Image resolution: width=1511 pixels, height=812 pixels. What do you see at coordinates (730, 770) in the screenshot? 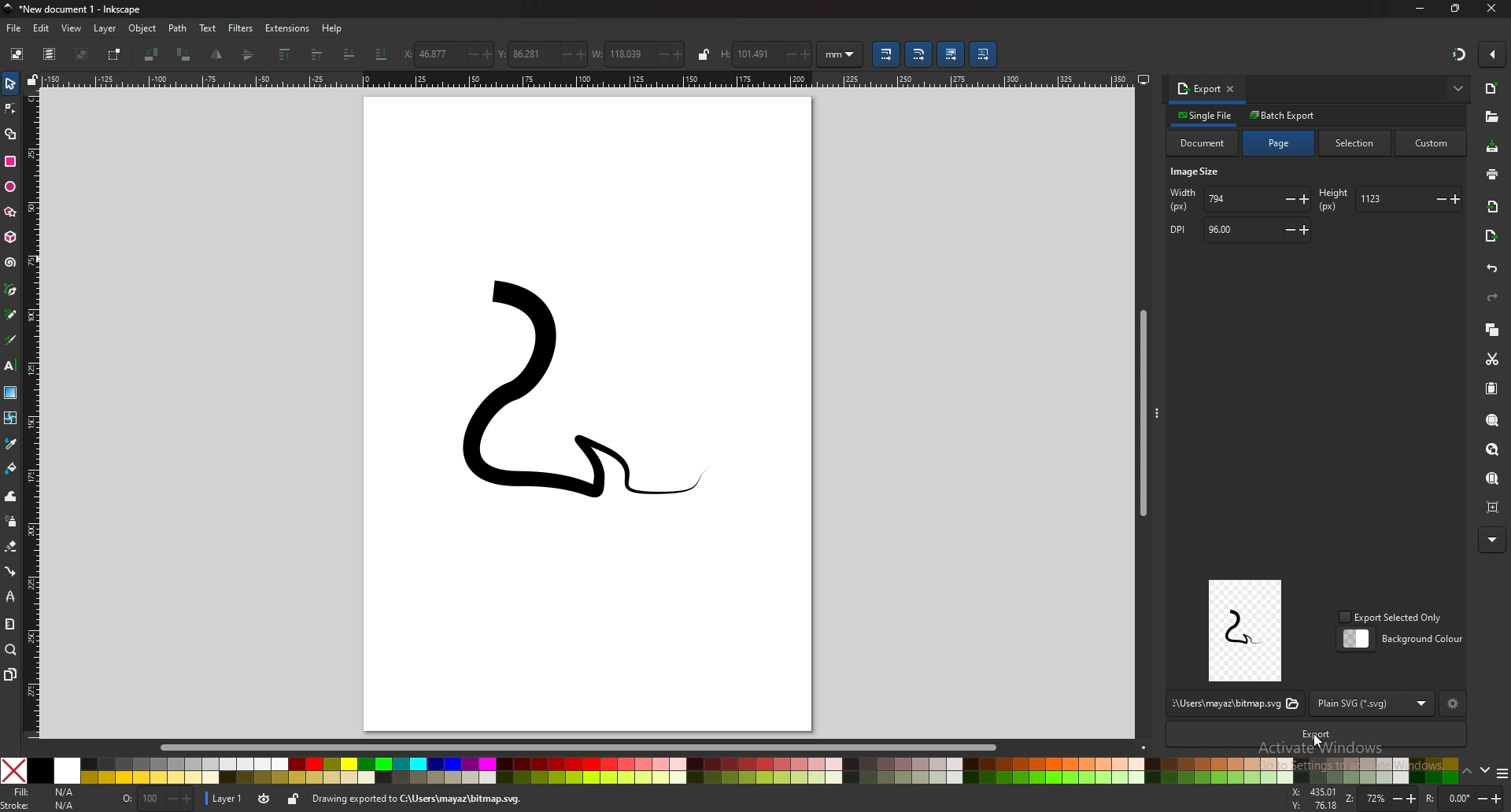
I see `colors` at bounding box center [730, 770].